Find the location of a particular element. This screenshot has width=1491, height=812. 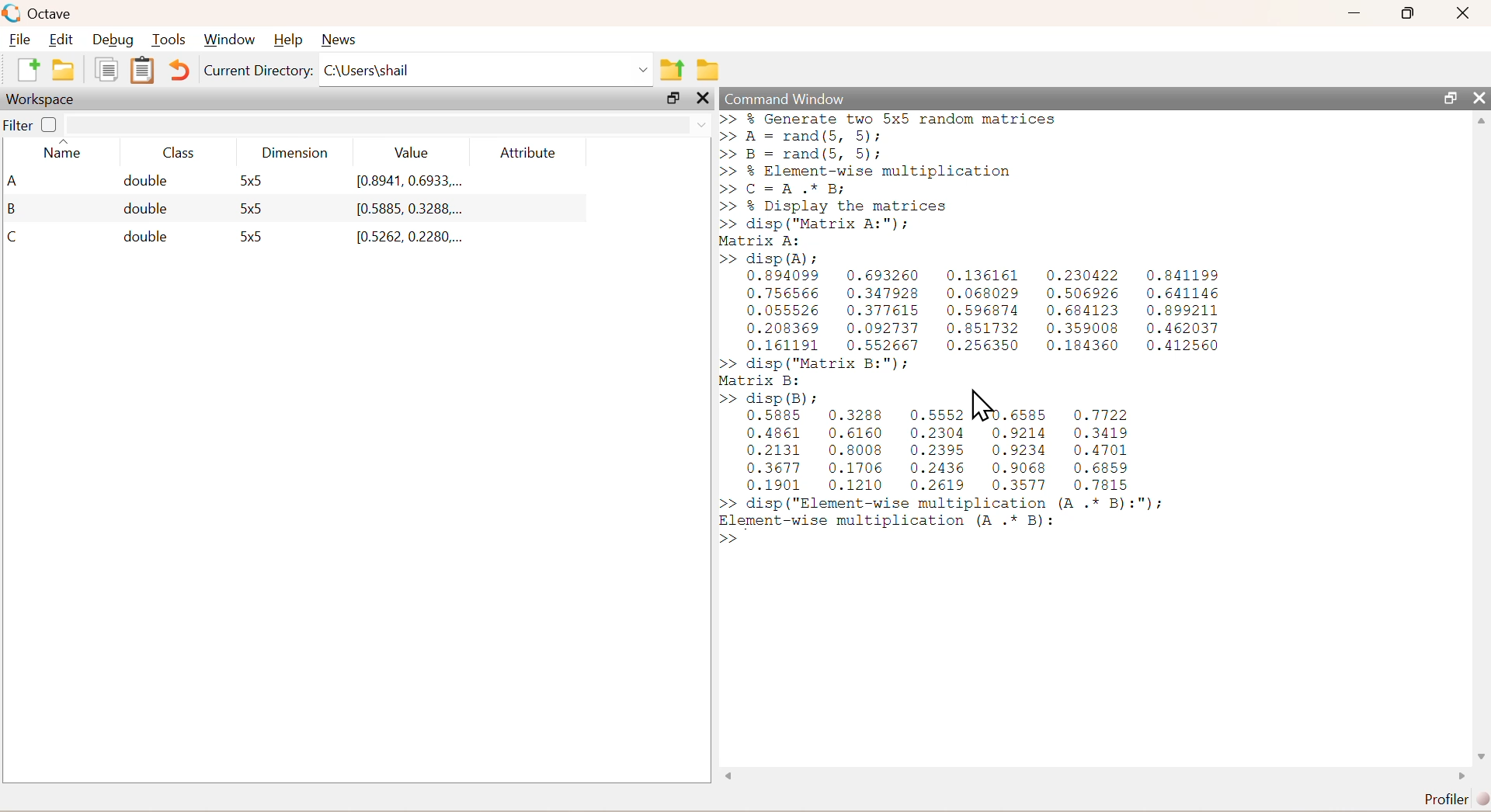

Maximize/Restore is located at coordinates (1410, 13).